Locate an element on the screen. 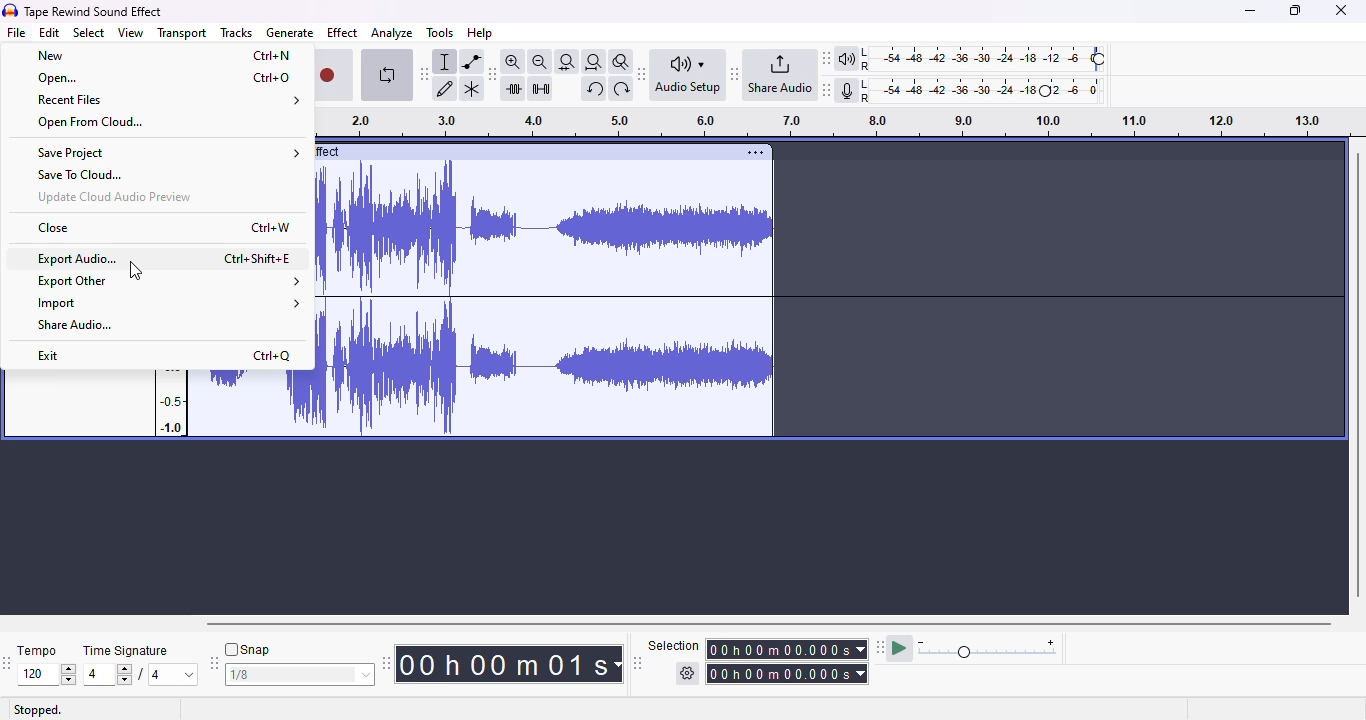 This screenshot has width=1366, height=720. maximize is located at coordinates (1297, 11).